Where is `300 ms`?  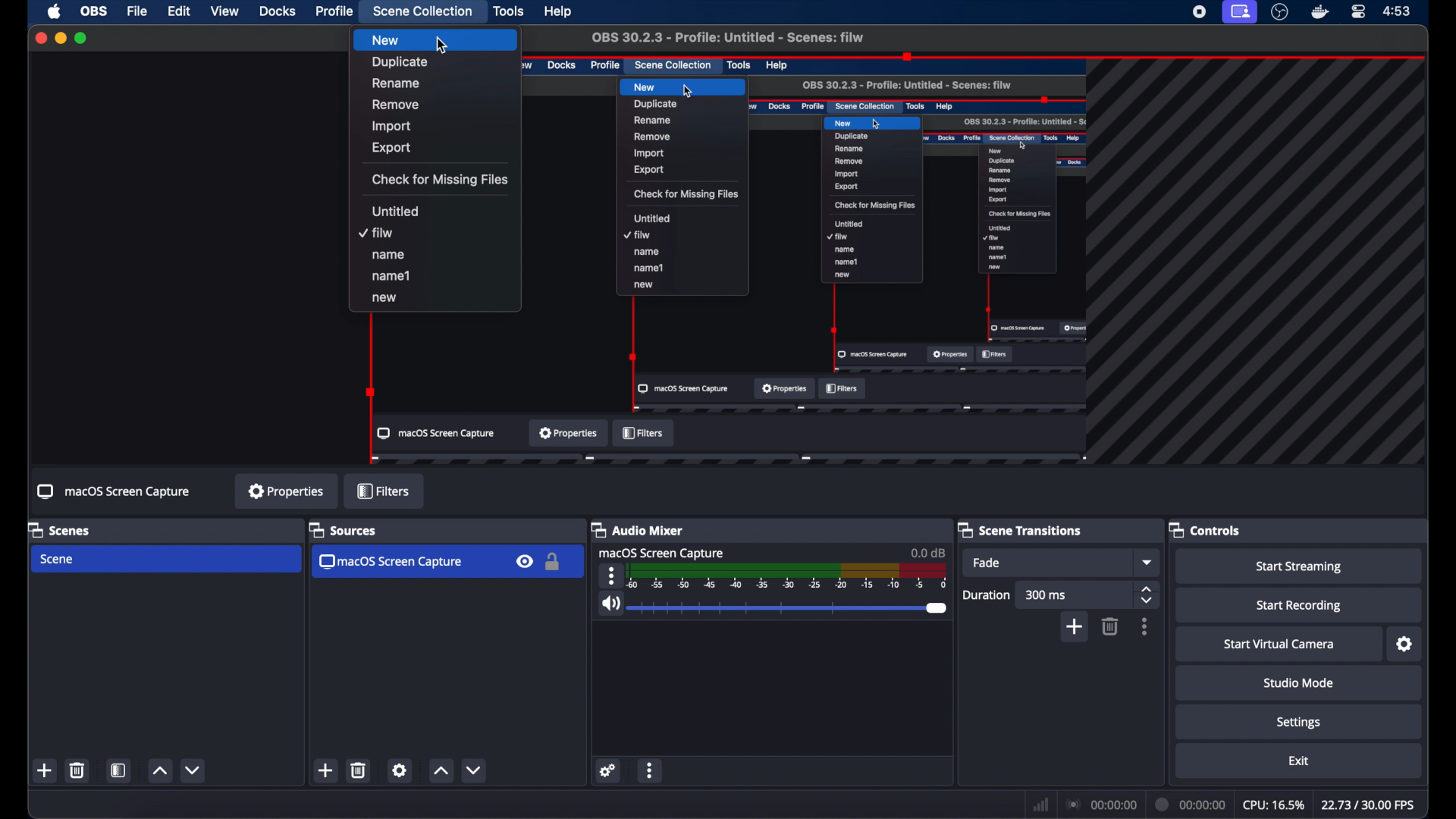
300 ms is located at coordinates (1046, 594).